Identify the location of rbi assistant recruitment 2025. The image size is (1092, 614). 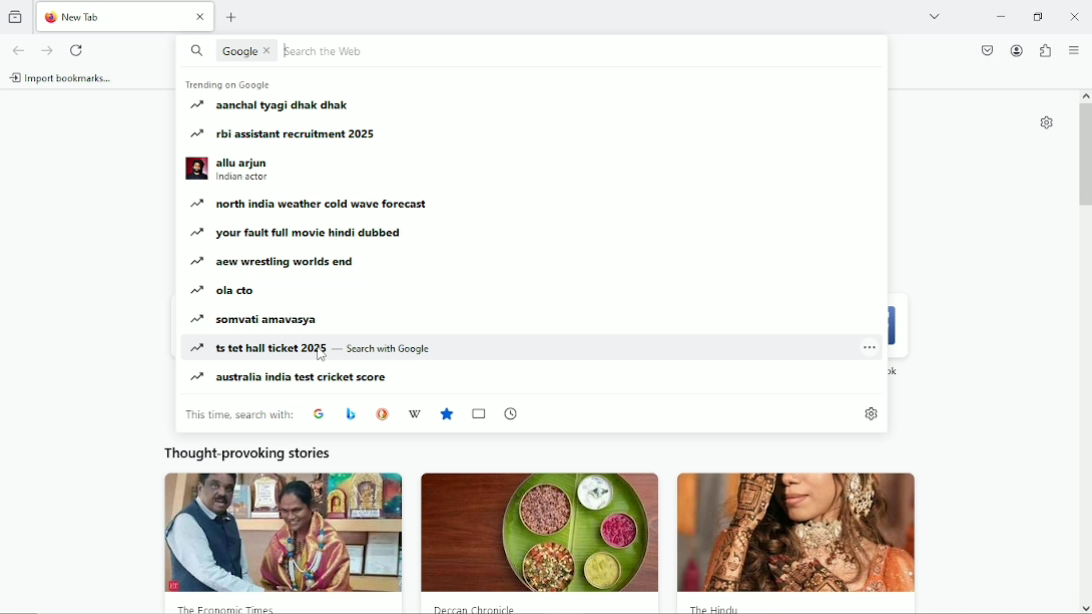
(289, 134).